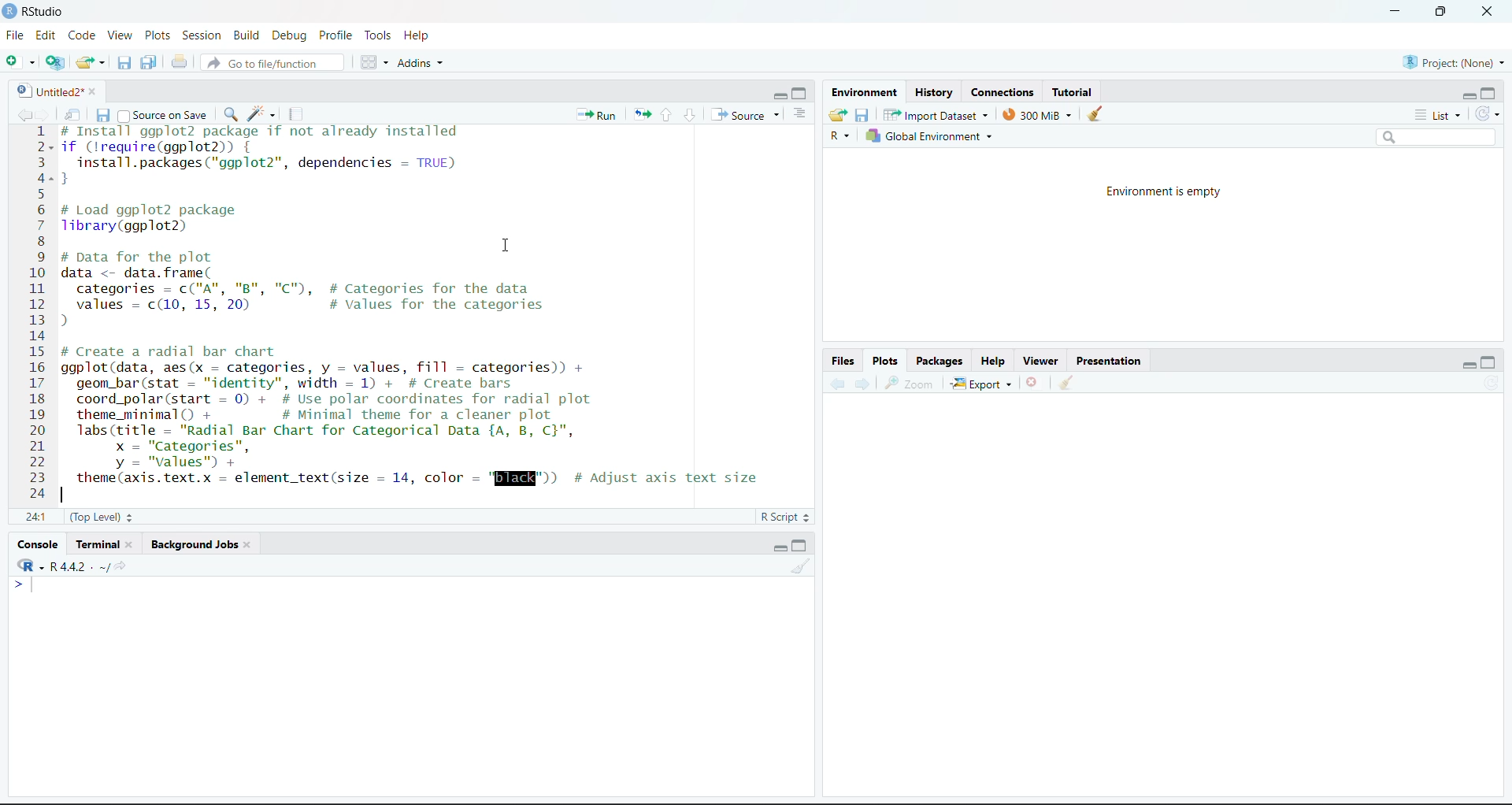 The height and width of the screenshot is (805, 1512). What do you see at coordinates (776, 546) in the screenshot?
I see `hide r script` at bounding box center [776, 546].